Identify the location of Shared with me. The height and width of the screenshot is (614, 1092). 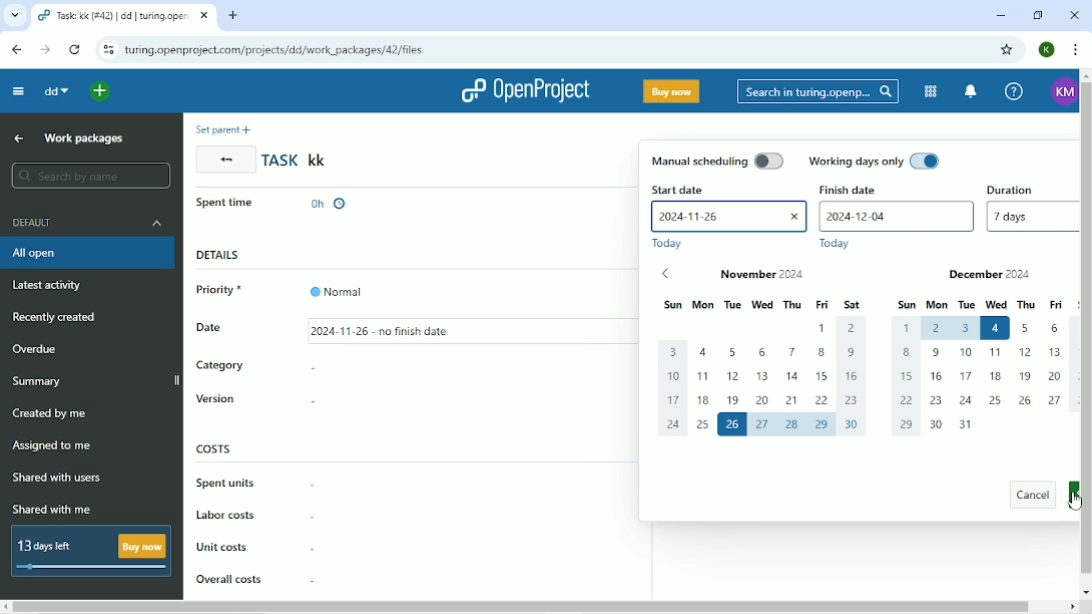
(51, 509).